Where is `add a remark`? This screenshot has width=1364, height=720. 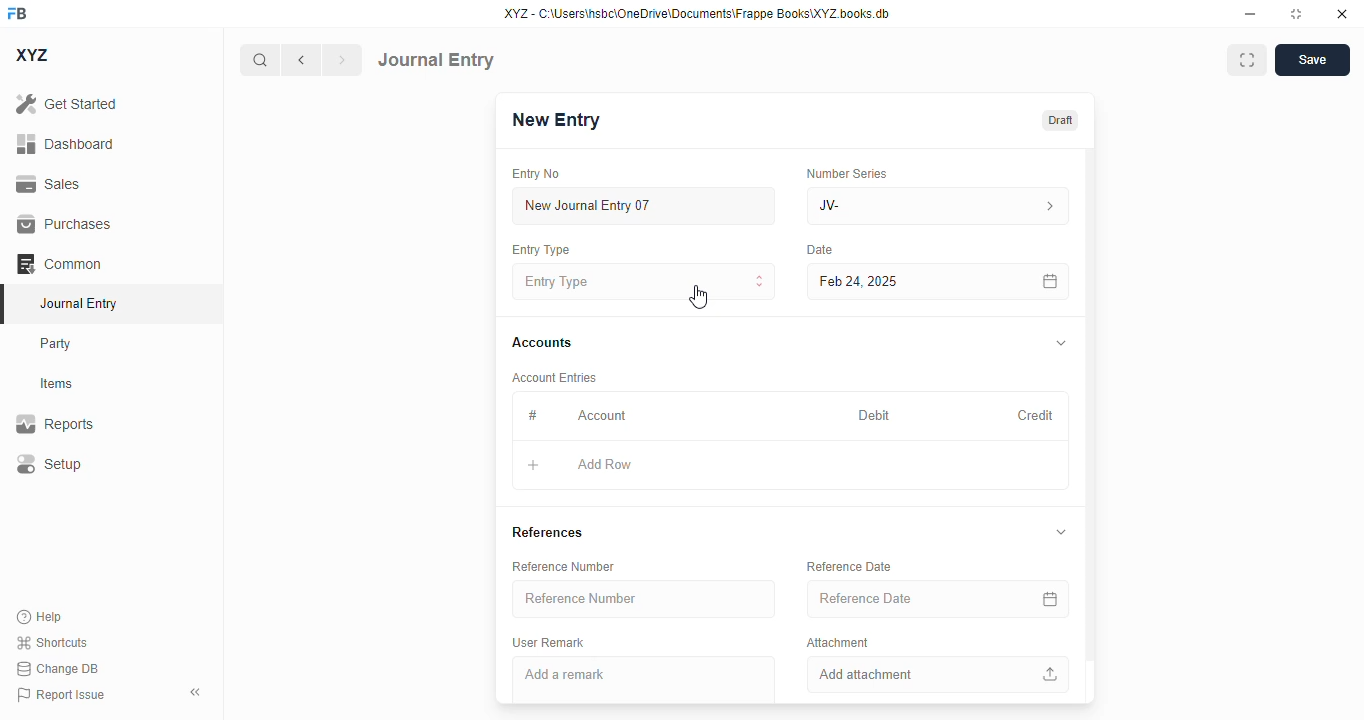 add a remark is located at coordinates (643, 679).